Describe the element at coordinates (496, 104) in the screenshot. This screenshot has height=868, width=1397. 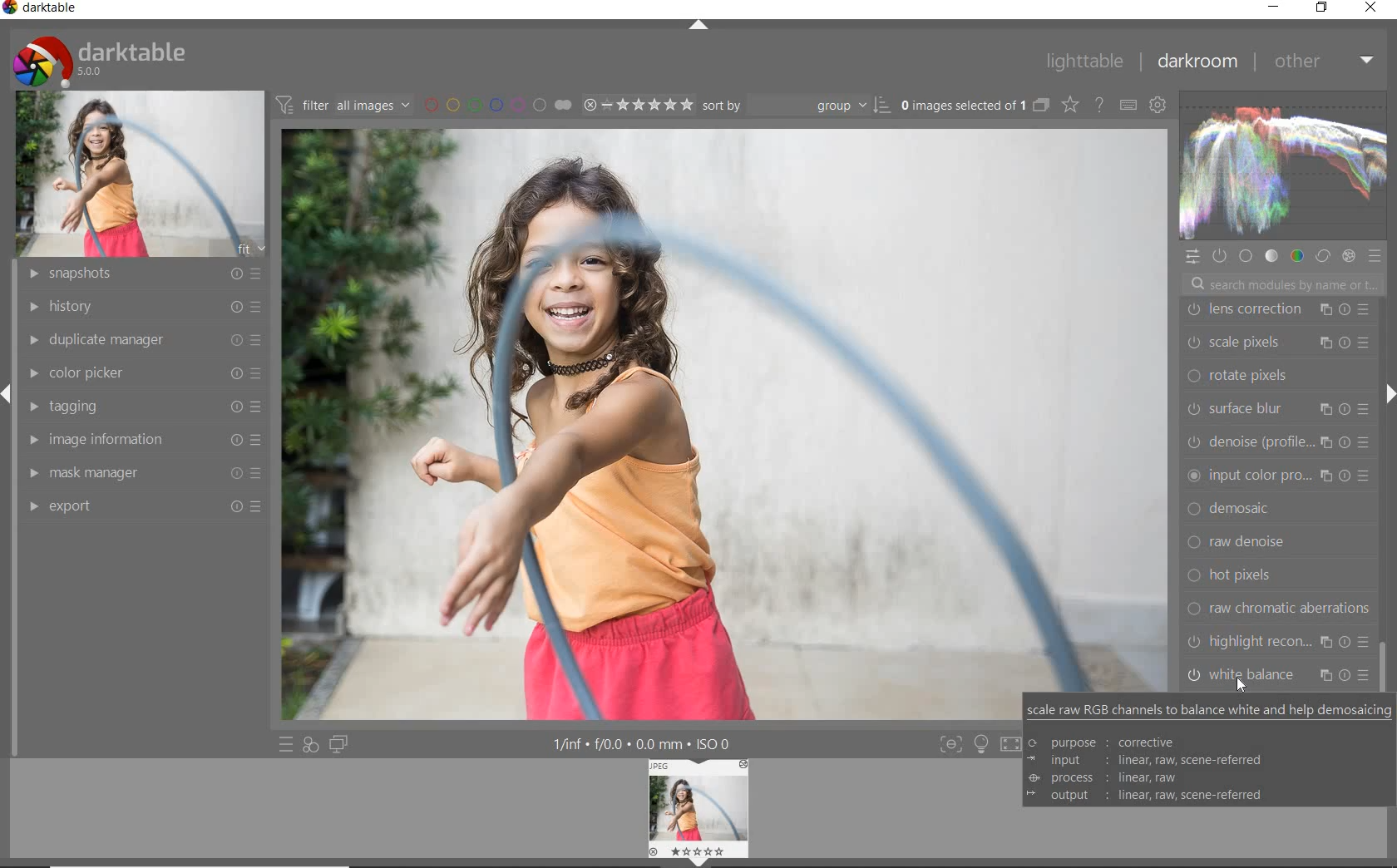
I see `filter by image color label` at that location.